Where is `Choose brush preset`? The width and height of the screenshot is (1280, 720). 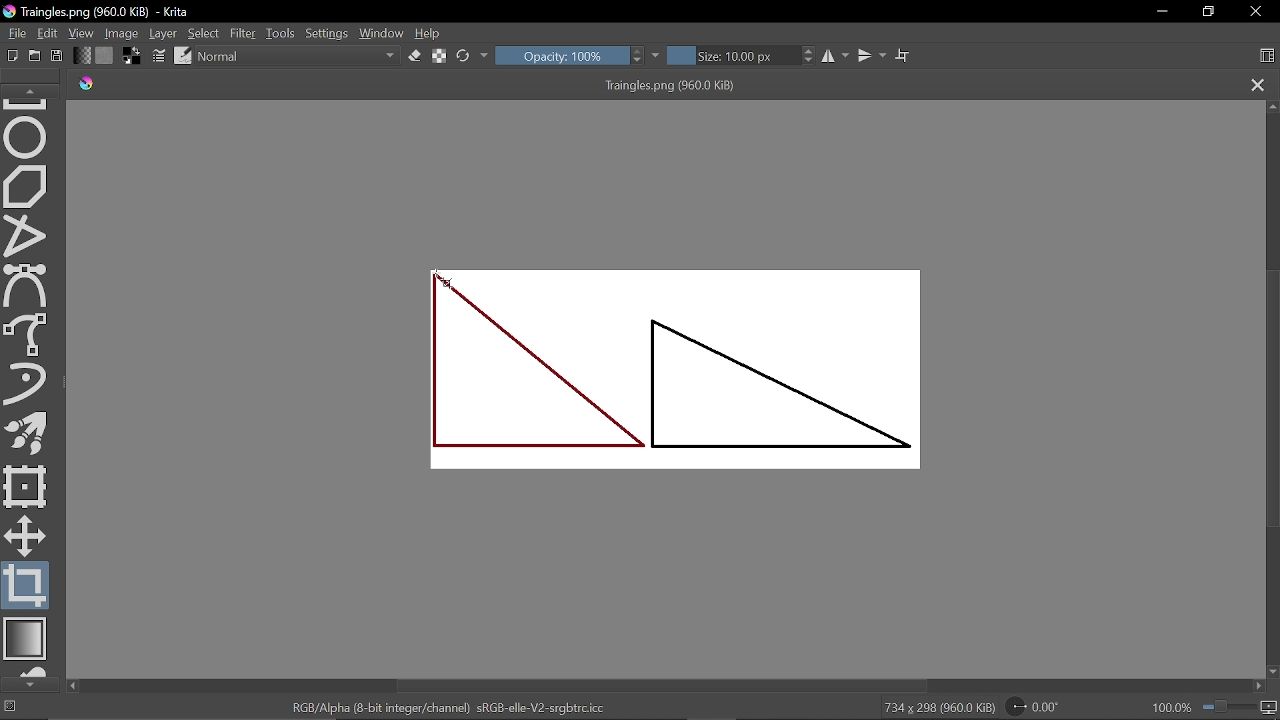 Choose brush preset is located at coordinates (182, 56).